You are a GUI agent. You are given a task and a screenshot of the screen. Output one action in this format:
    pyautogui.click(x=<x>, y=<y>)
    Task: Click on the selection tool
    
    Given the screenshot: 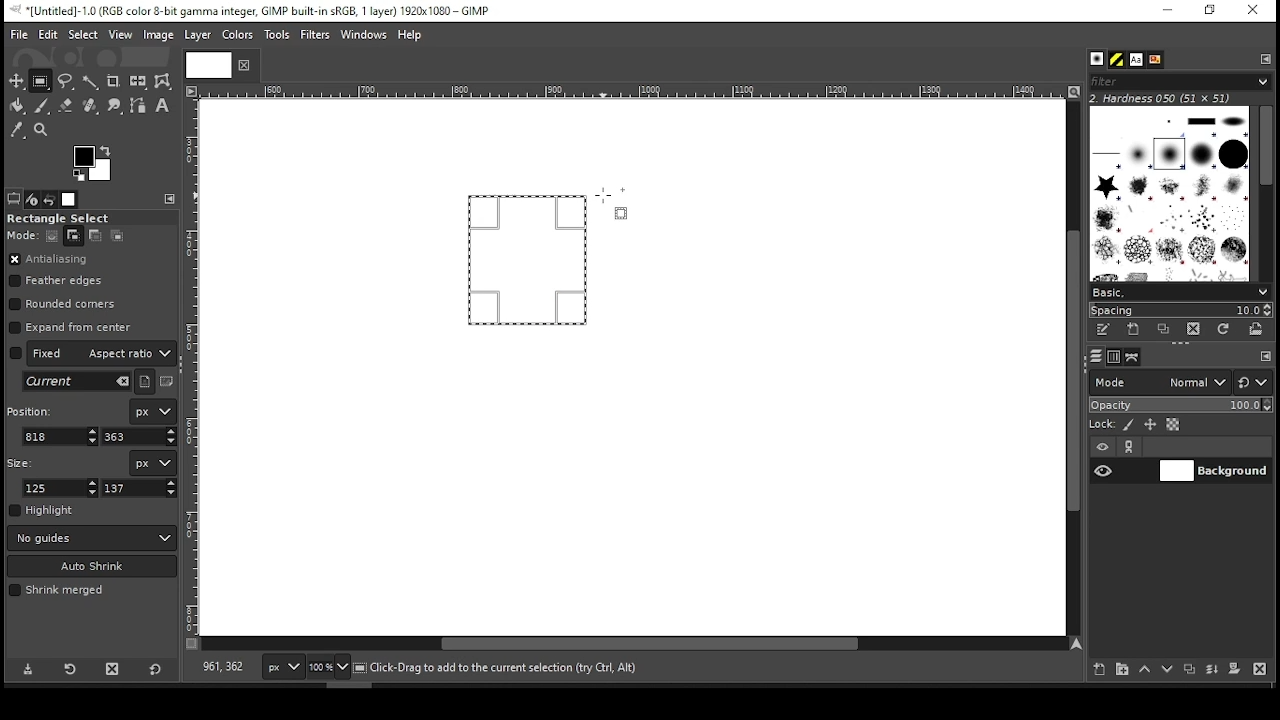 What is the action you would take?
    pyautogui.click(x=17, y=81)
    